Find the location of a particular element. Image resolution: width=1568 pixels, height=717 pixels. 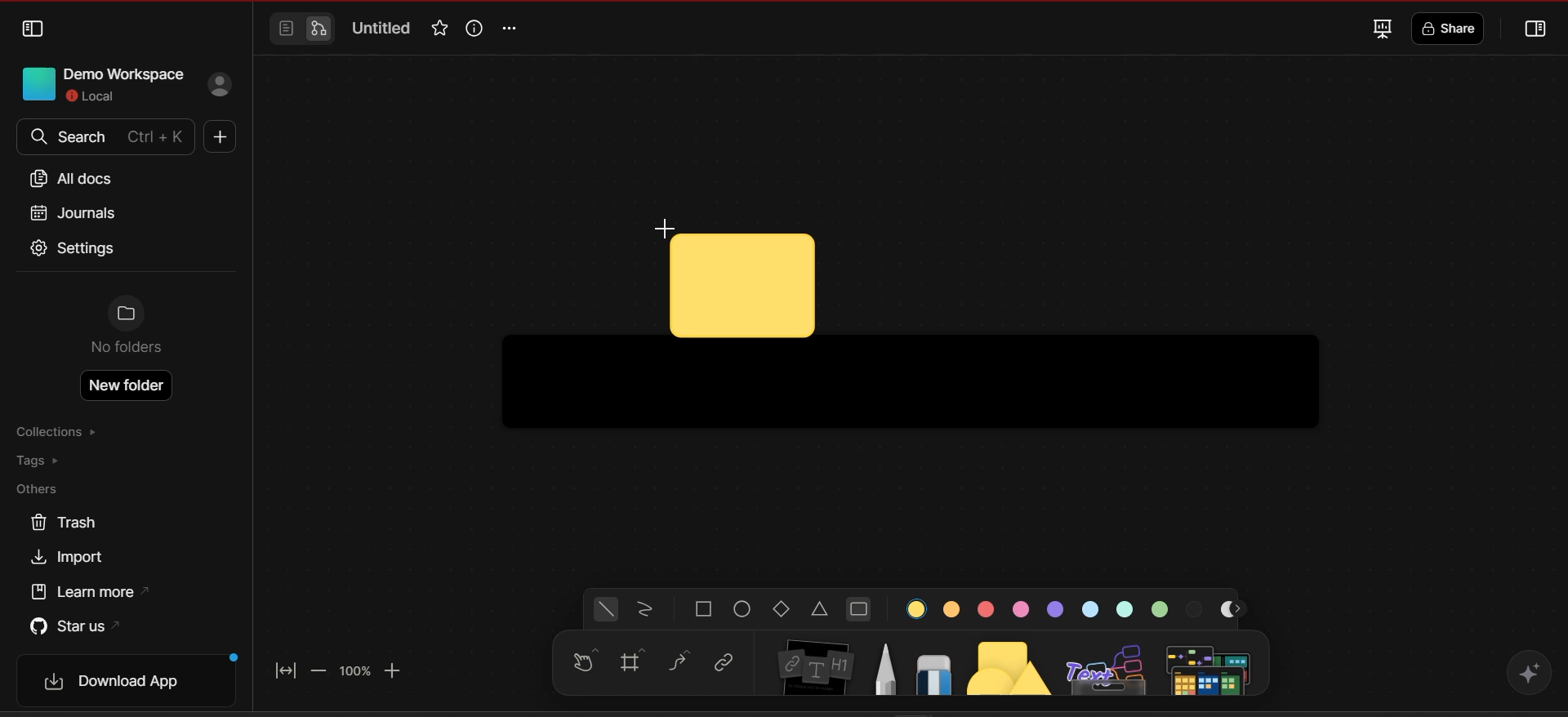

color 1 is located at coordinates (918, 608).